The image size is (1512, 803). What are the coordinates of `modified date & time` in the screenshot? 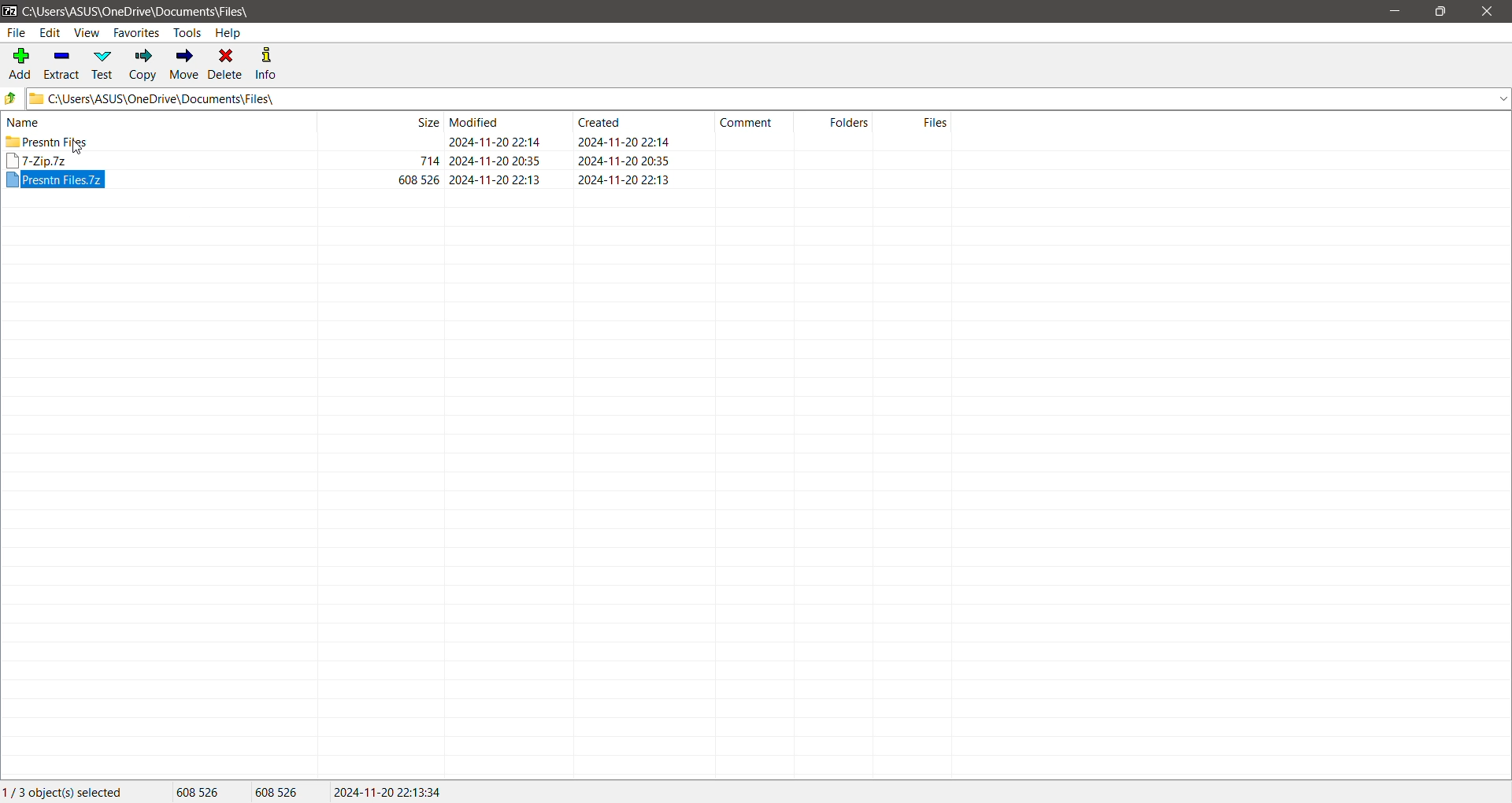 It's located at (495, 179).